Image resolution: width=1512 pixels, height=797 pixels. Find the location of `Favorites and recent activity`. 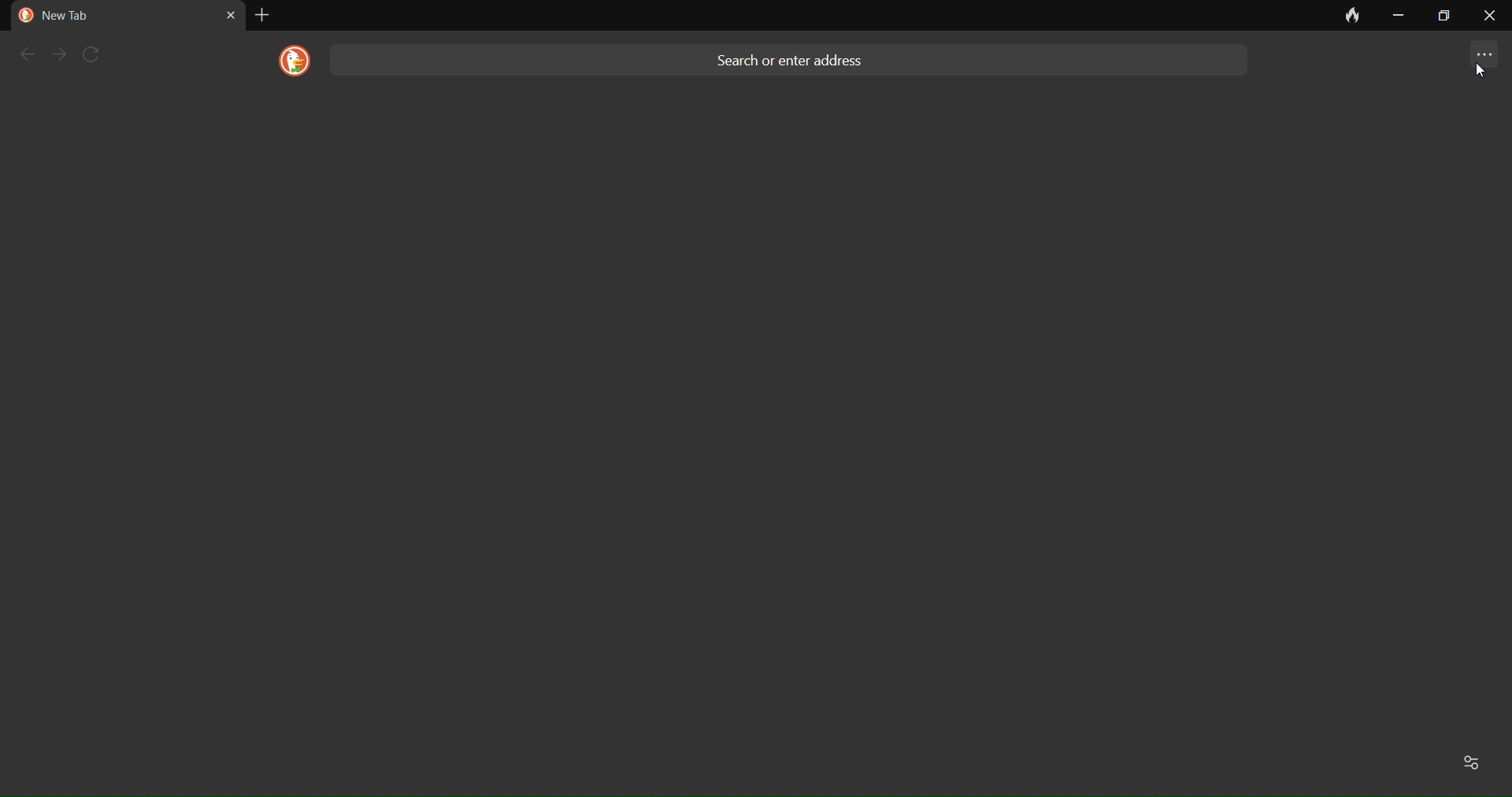

Favorites and recent activity is located at coordinates (1474, 761).